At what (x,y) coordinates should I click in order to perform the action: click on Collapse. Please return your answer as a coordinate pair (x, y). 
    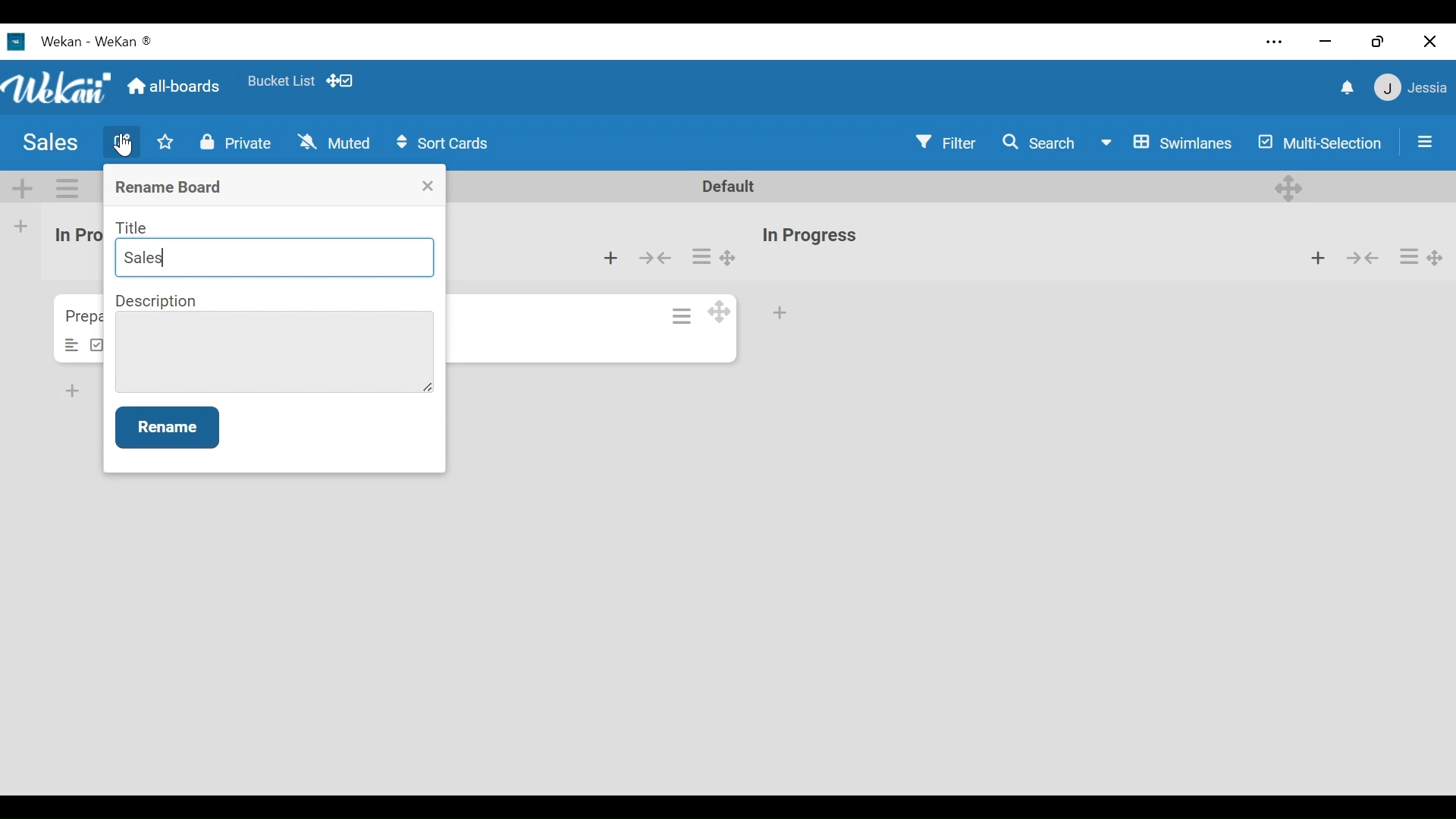
    Looking at the image, I should click on (1361, 256).